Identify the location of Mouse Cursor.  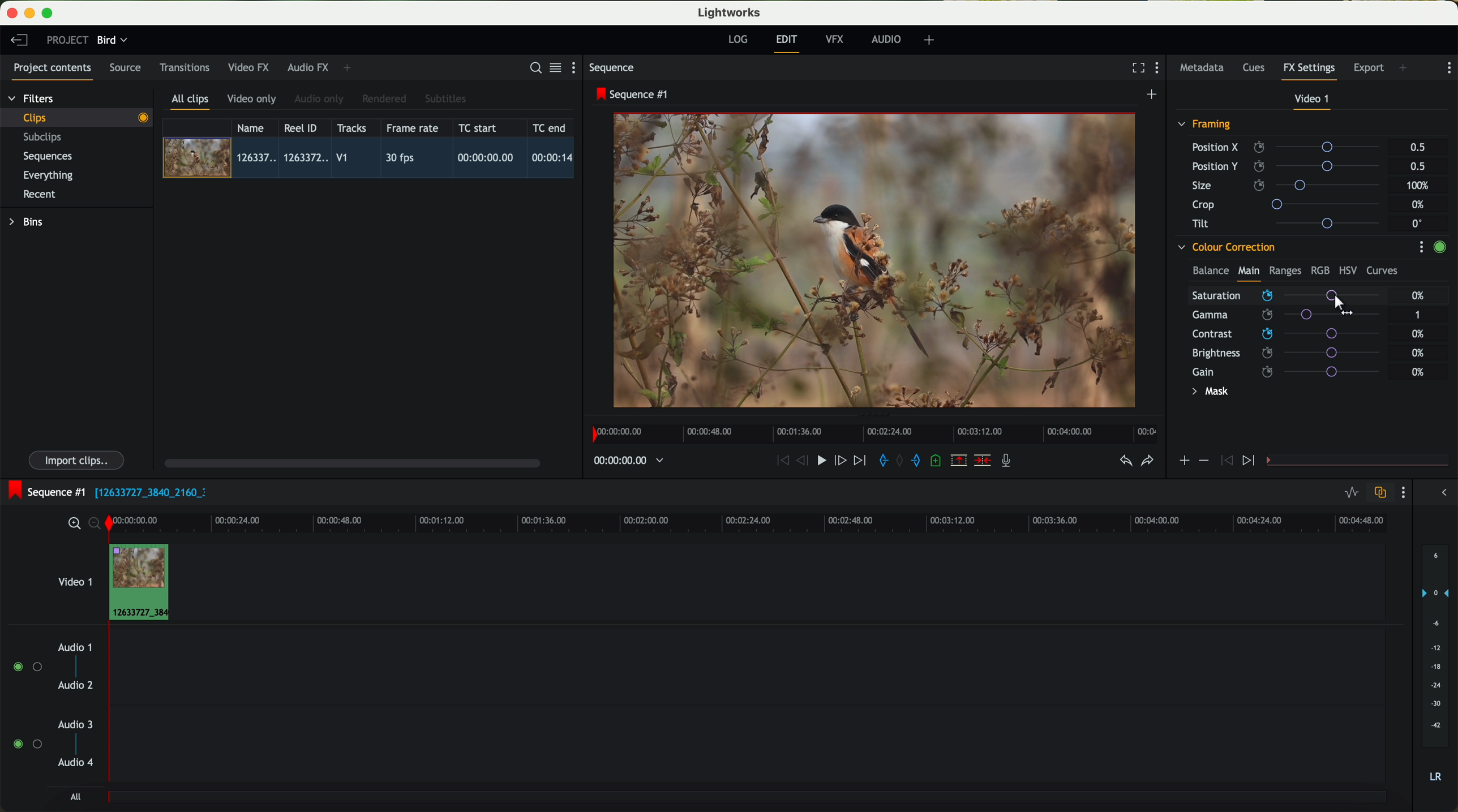
(1340, 307).